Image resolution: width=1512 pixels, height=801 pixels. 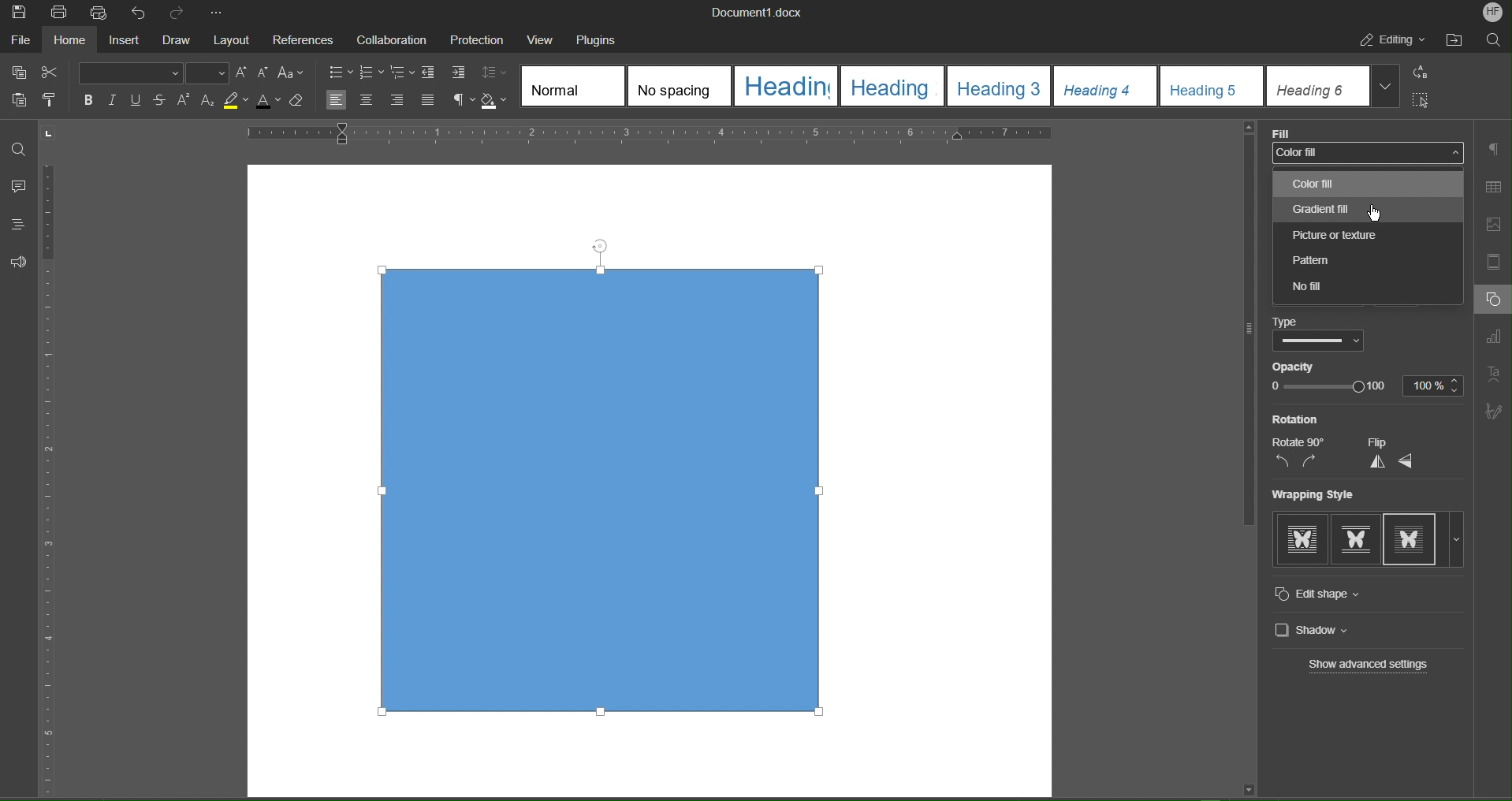 I want to click on Comment, so click(x=18, y=185).